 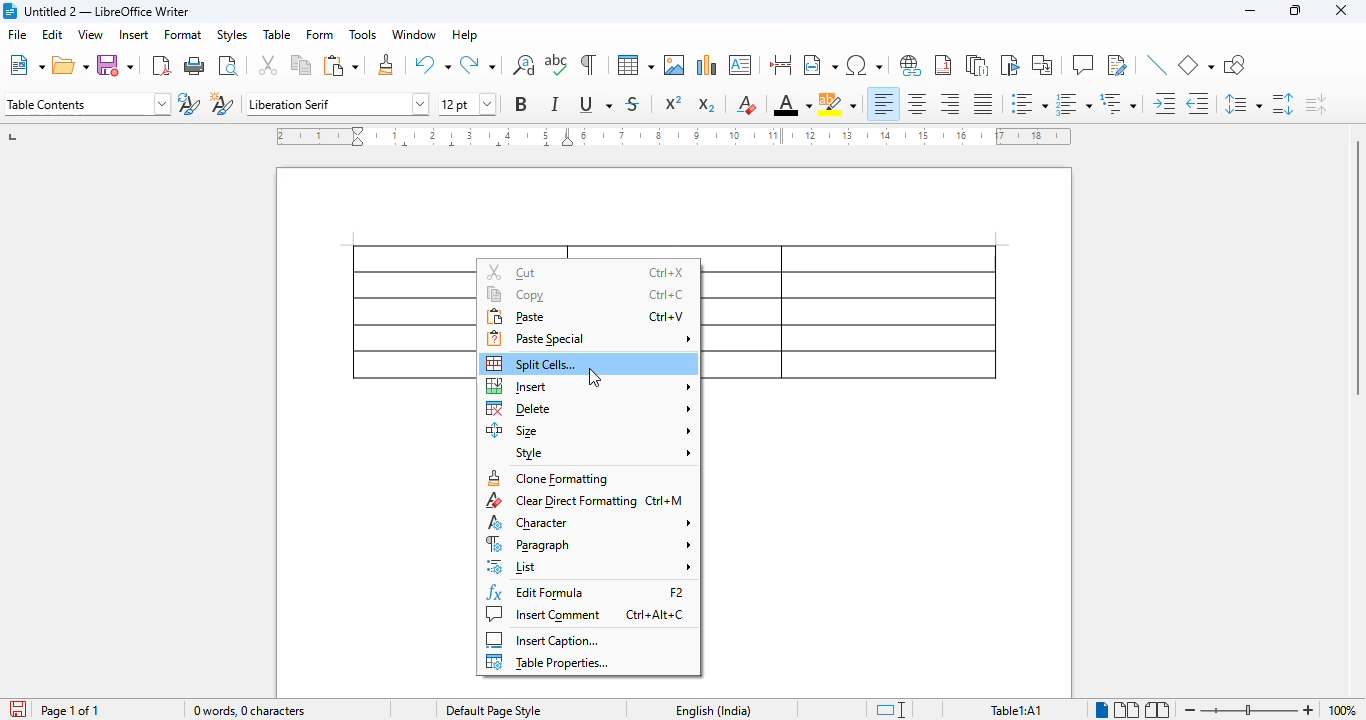 I want to click on cursor, so click(x=594, y=377).